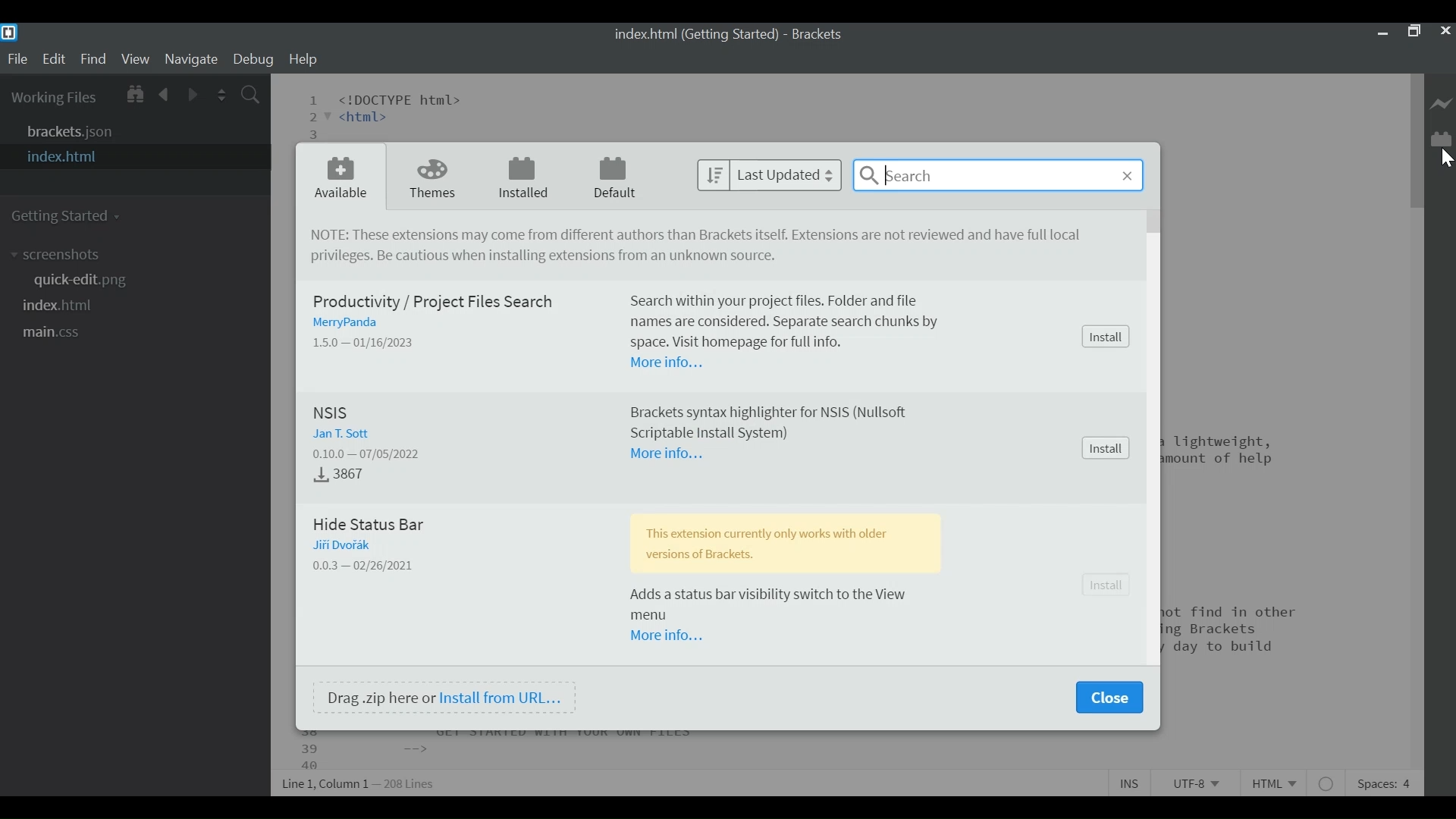 Image resolution: width=1456 pixels, height=819 pixels. I want to click on Manage Extension, so click(1440, 139).